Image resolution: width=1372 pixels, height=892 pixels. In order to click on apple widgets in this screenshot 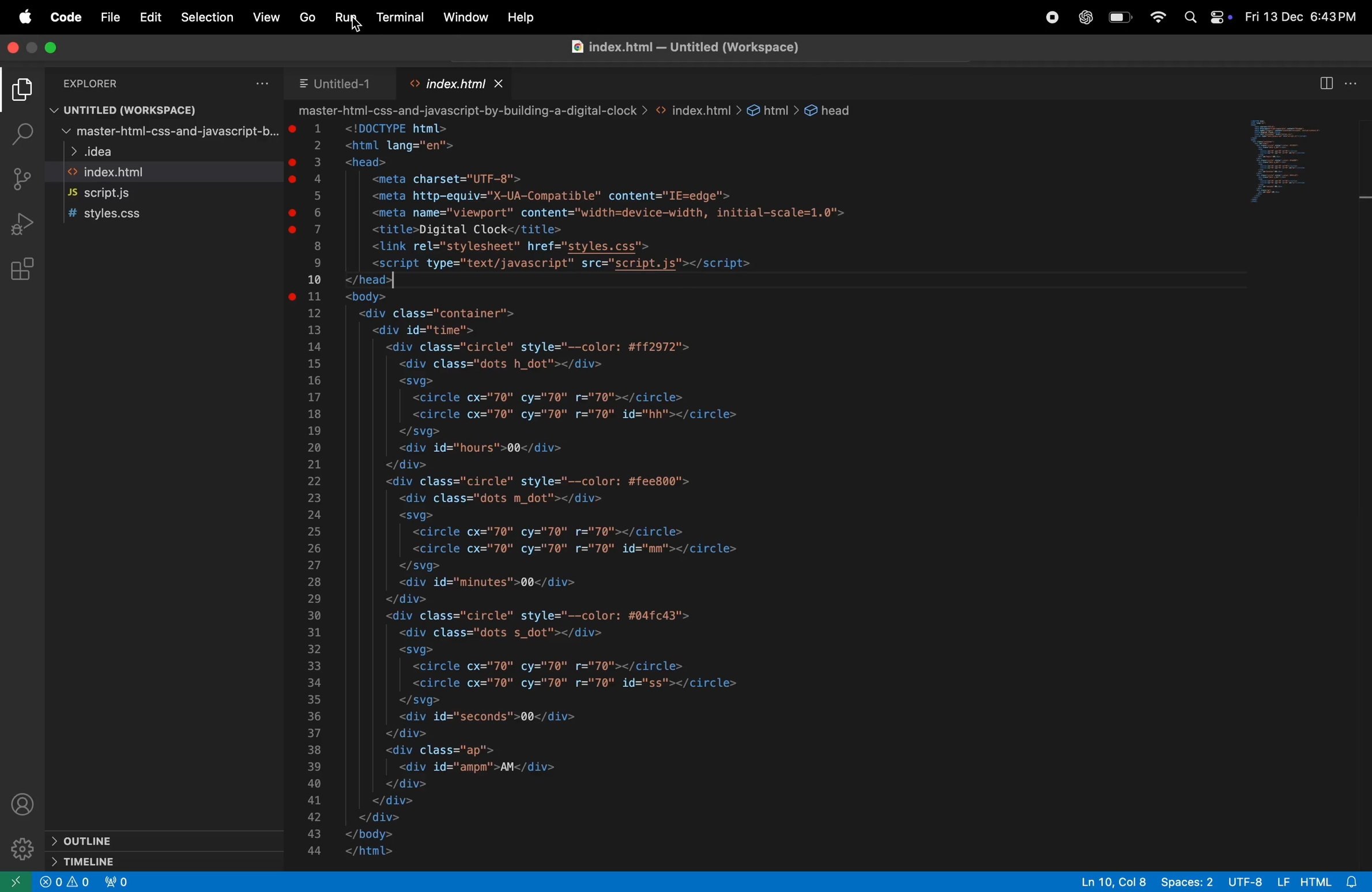, I will do `click(1206, 18)`.